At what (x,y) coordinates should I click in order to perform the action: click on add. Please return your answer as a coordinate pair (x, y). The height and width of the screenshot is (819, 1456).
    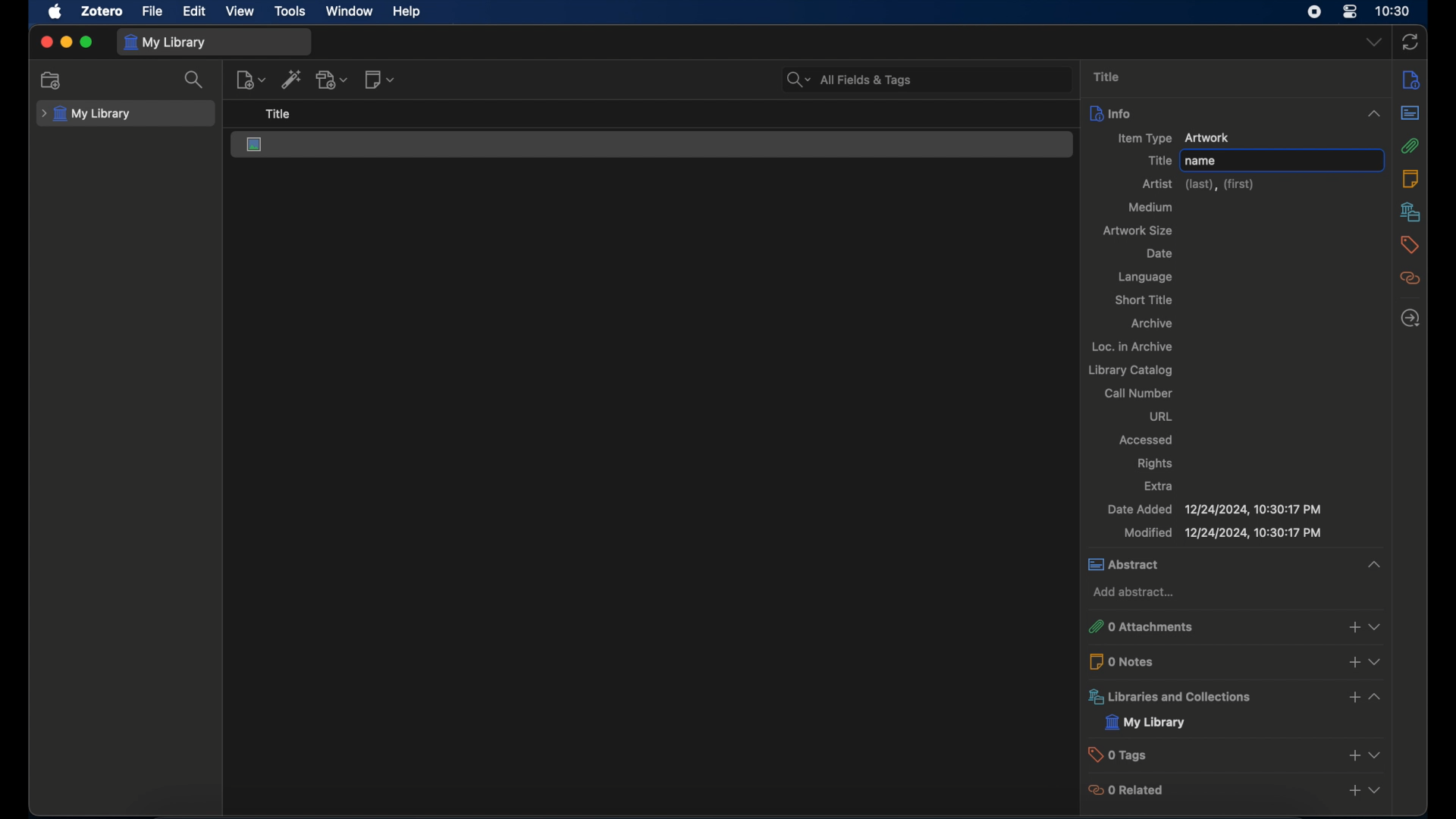
    Looking at the image, I should click on (1353, 758).